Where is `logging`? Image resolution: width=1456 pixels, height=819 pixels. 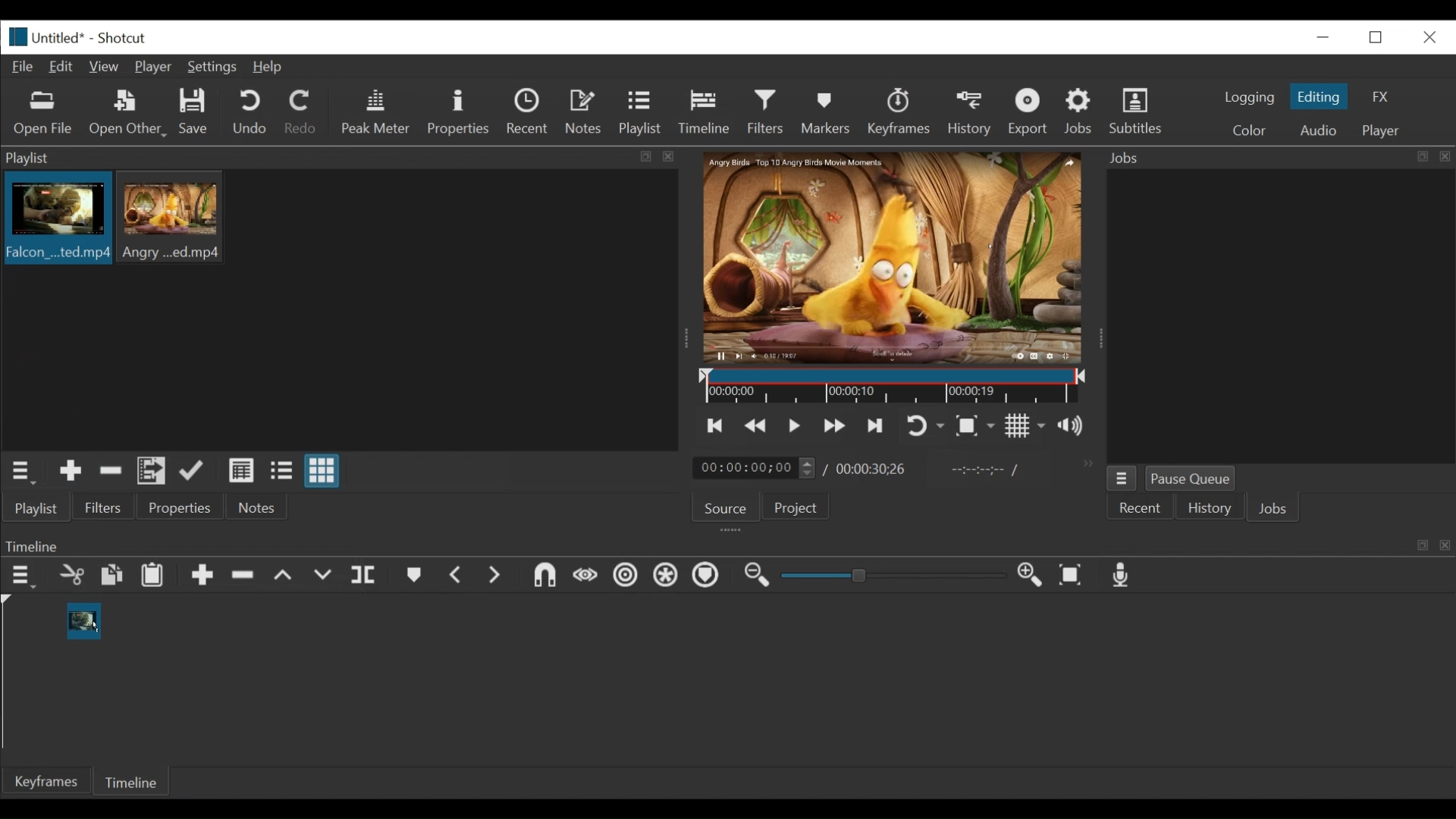
logging is located at coordinates (1248, 97).